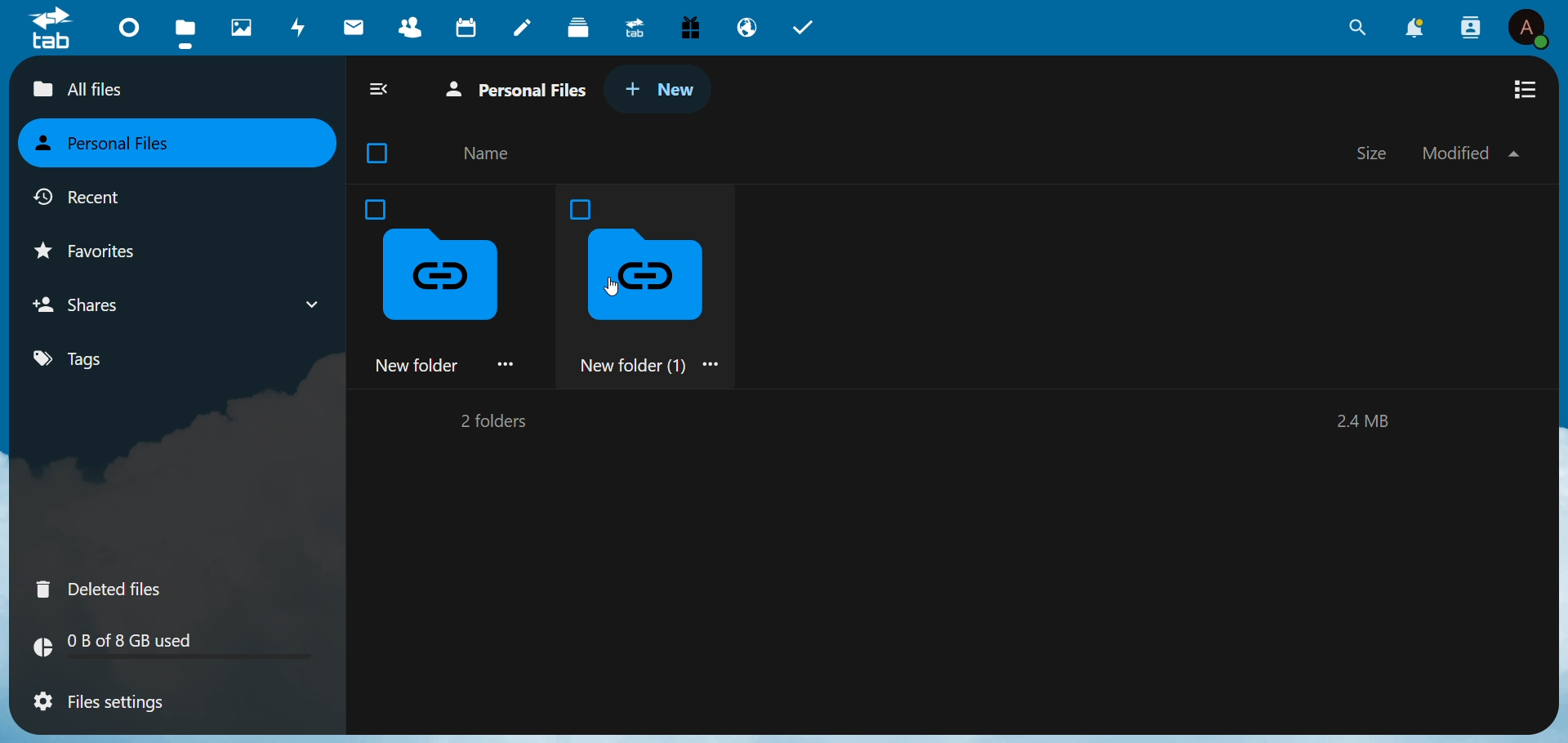 The image size is (1568, 743). What do you see at coordinates (1530, 28) in the screenshot?
I see `user` at bounding box center [1530, 28].